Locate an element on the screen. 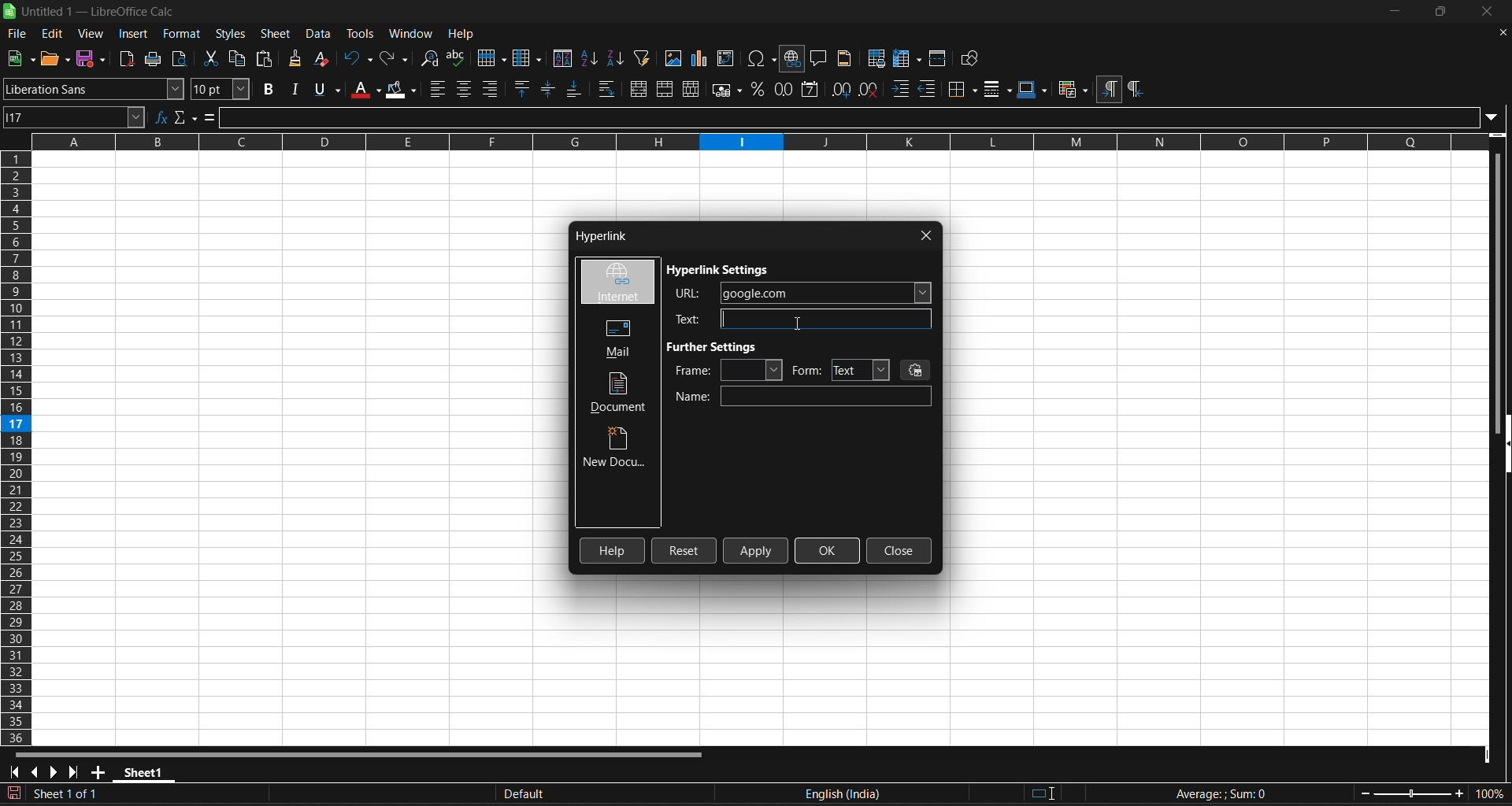 Image resolution: width=1512 pixels, height=806 pixels. right to left is located at coordinates (1135, 90).